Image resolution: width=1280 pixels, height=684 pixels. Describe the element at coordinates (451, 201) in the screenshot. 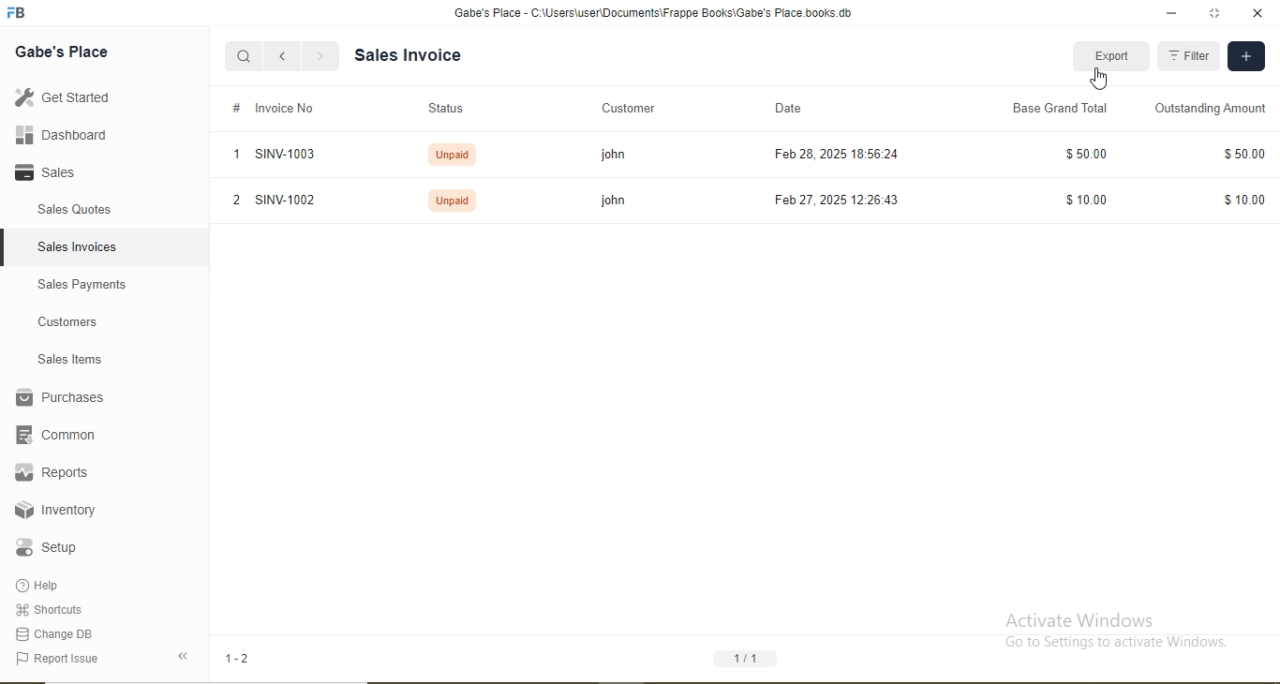

I see `Unpaid` at that location.